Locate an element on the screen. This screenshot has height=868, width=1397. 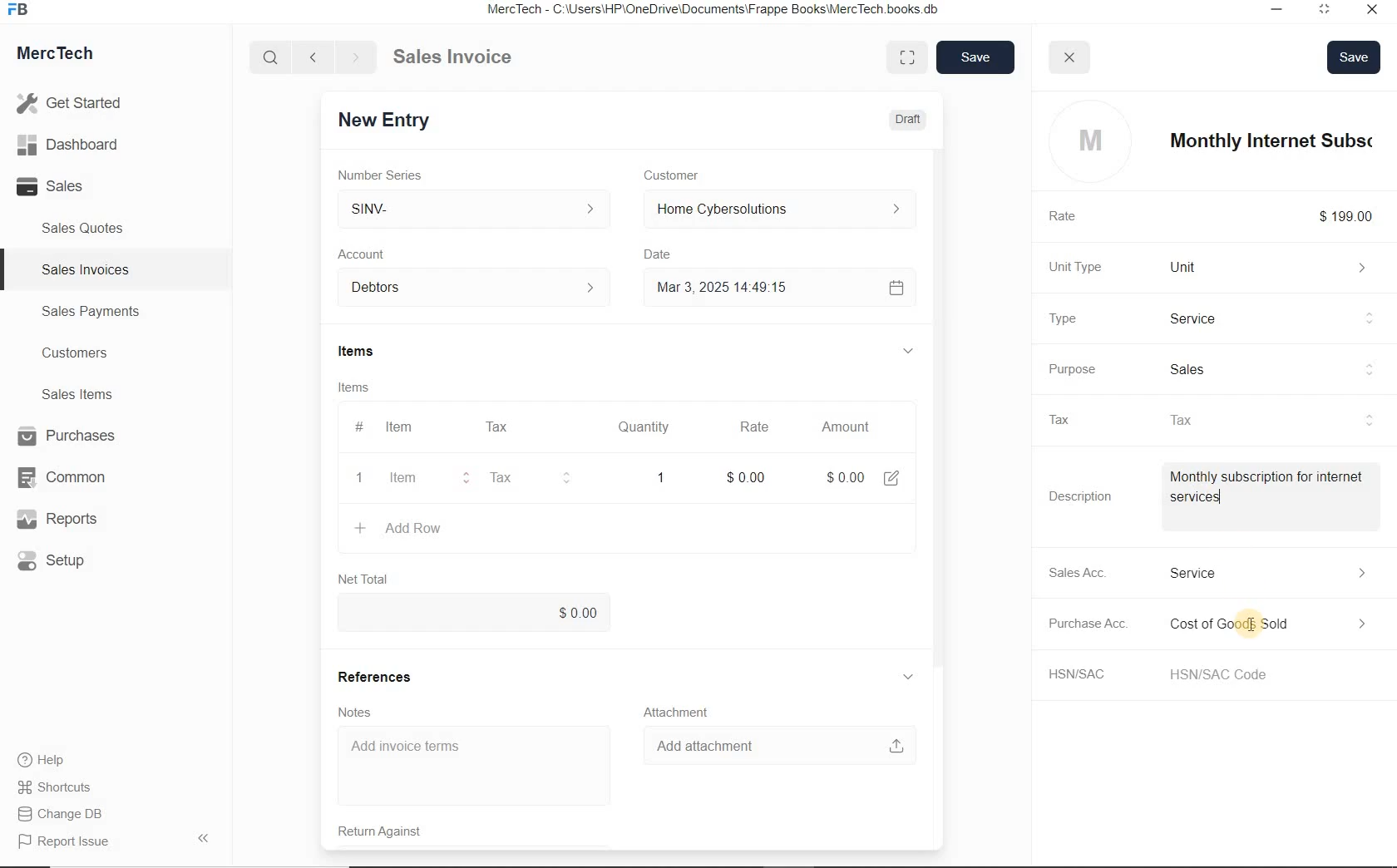
item is located at coordinates (407, 480).